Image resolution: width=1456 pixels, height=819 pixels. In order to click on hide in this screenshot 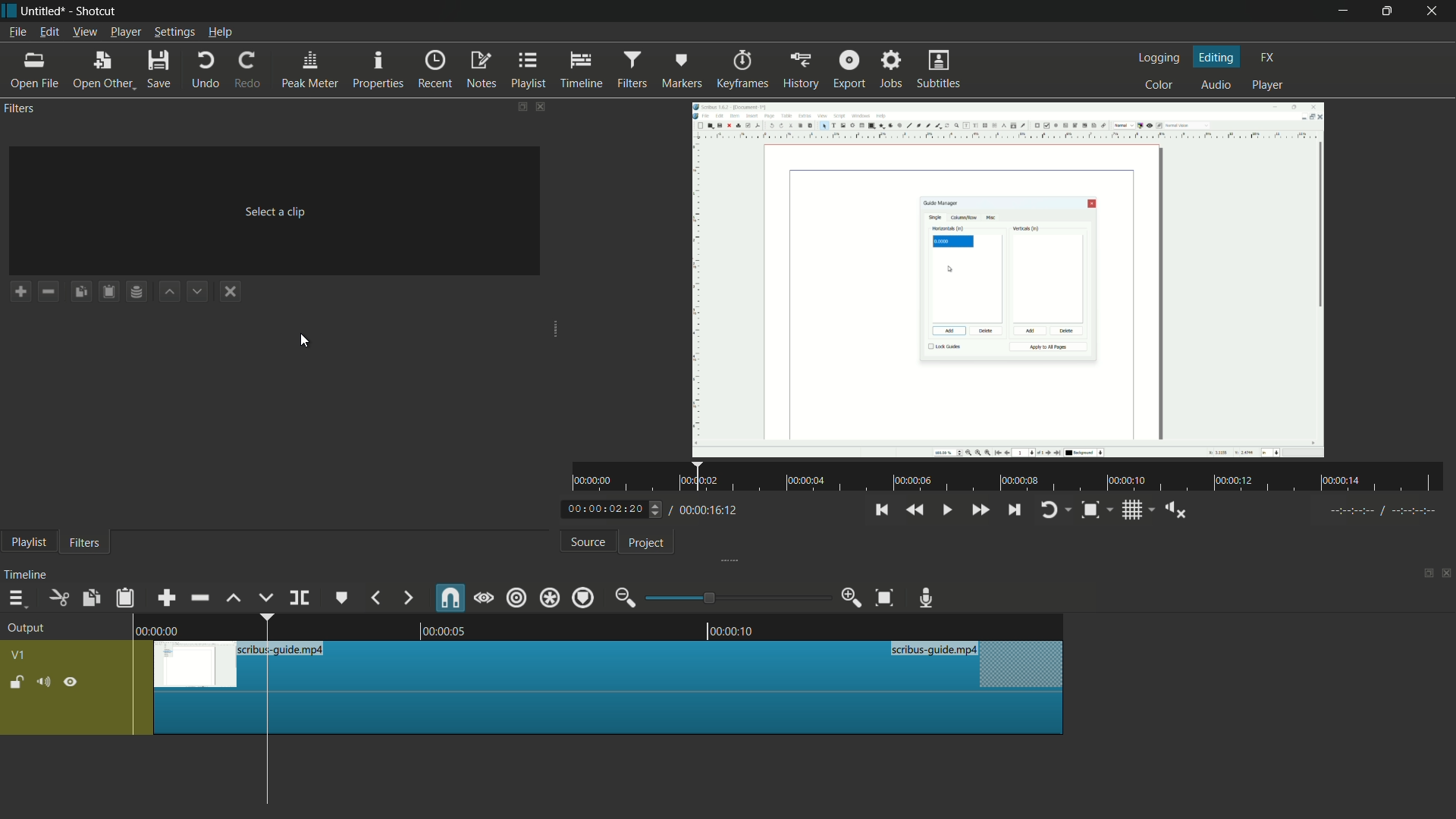, I will do `click(71, 683)`.